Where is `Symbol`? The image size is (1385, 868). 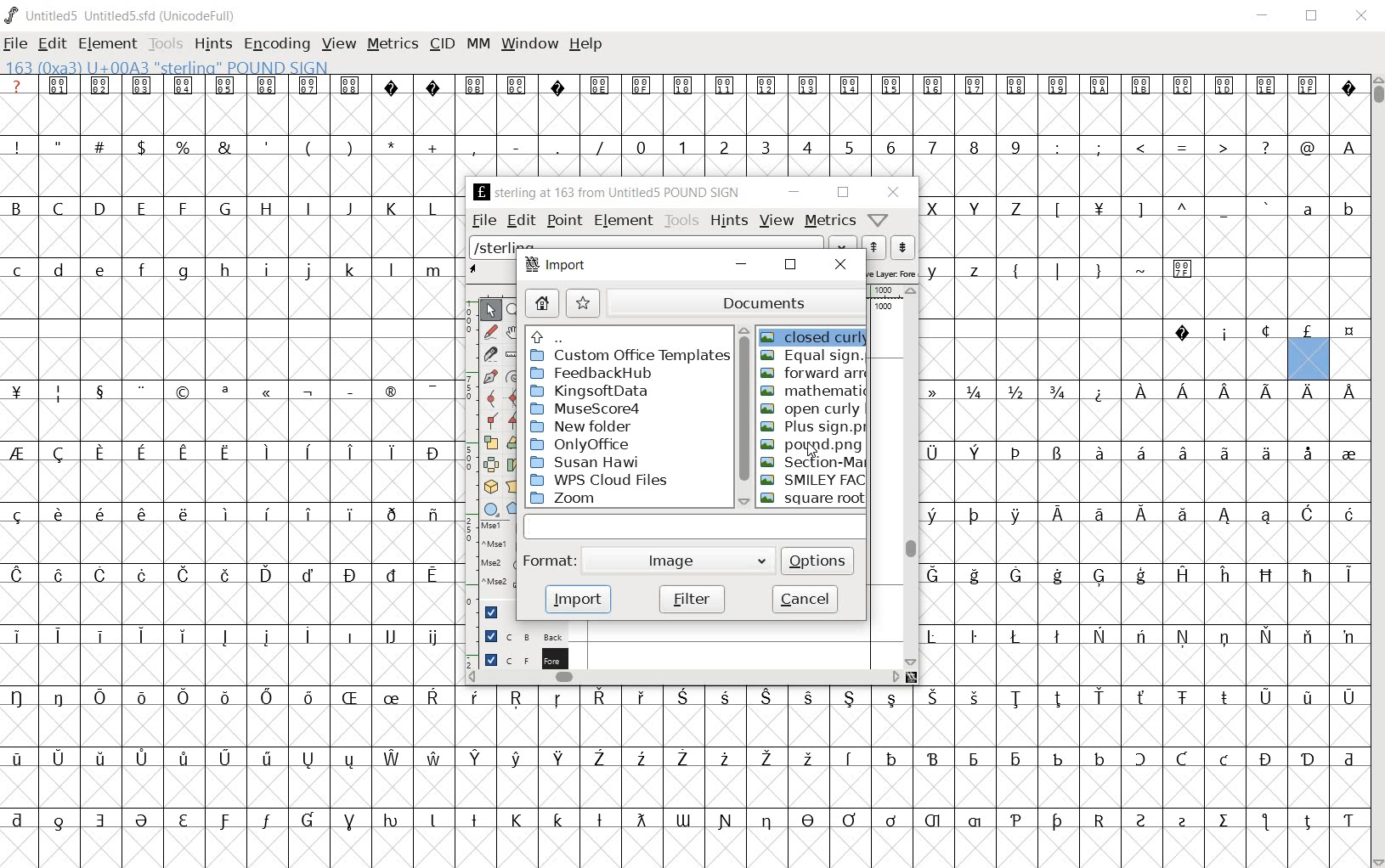 Symbol is located at coordinates (849, 820).